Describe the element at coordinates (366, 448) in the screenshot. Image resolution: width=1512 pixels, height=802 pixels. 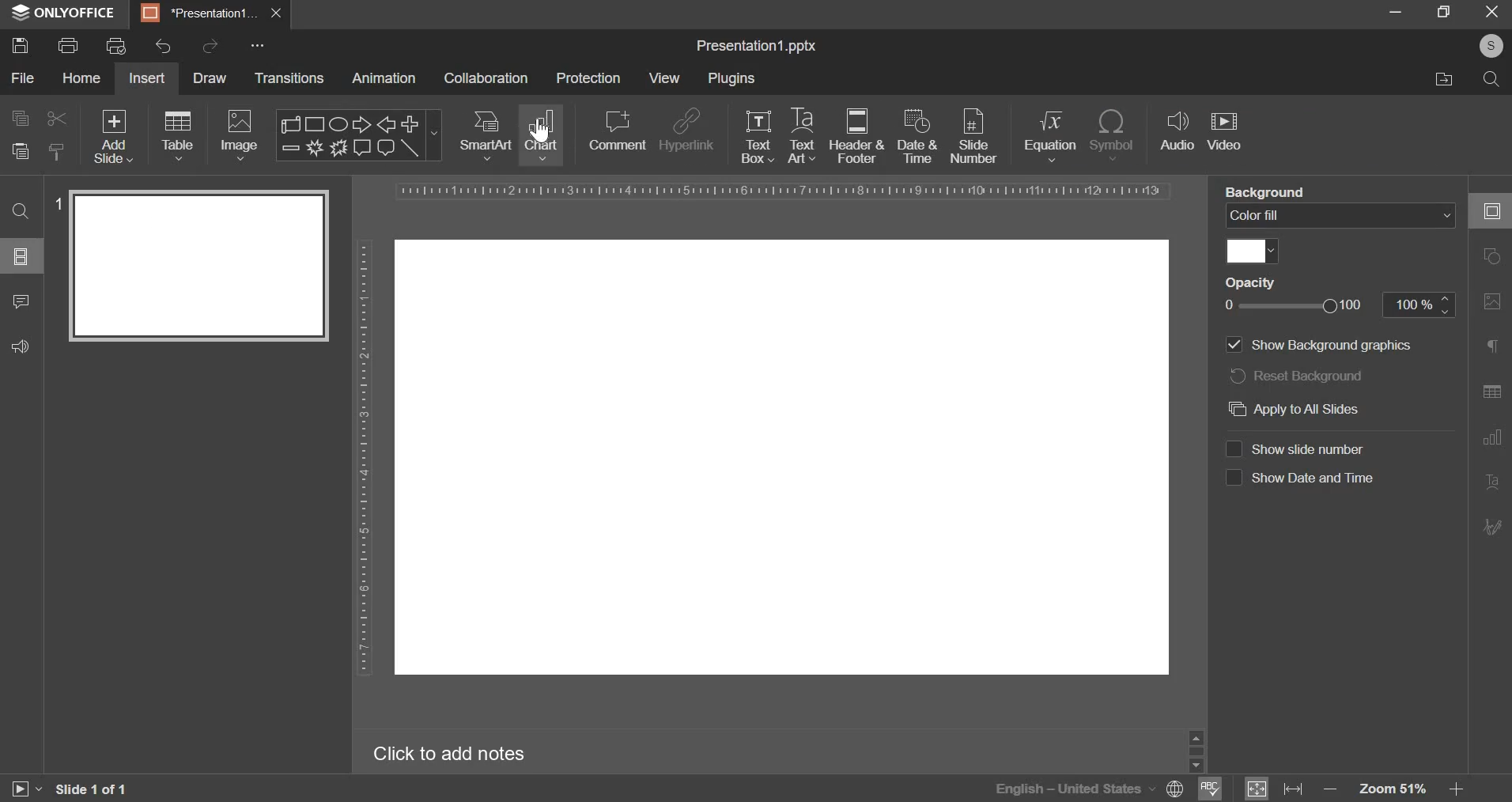
I see `vertical scale` at that location.